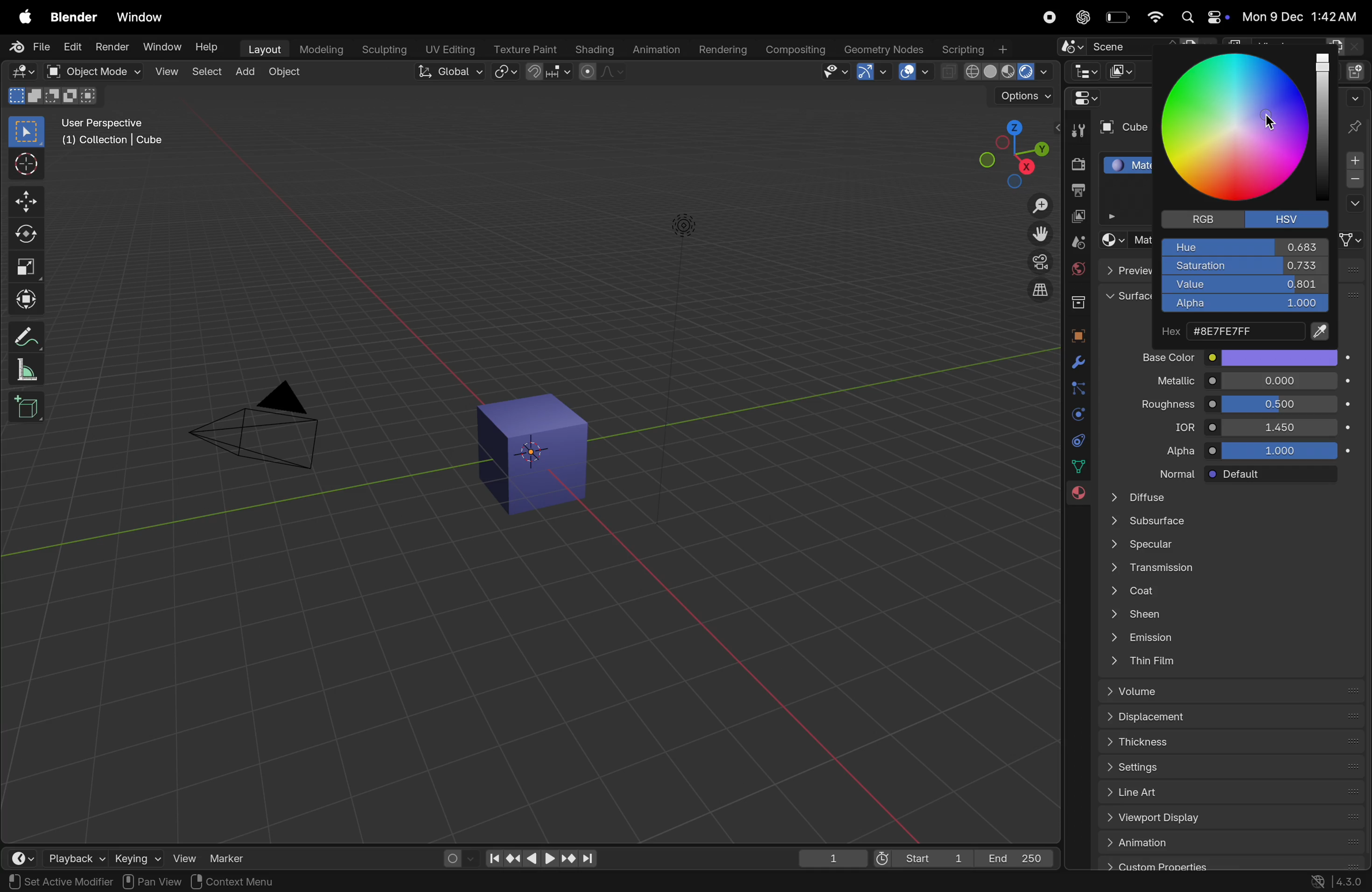 Image resolution: width=1372 pixels, height=892 pixels. What do you see at coordinates (1006, 150) in the screenshot?
I see `view point` at bounding box center [1006, 150].